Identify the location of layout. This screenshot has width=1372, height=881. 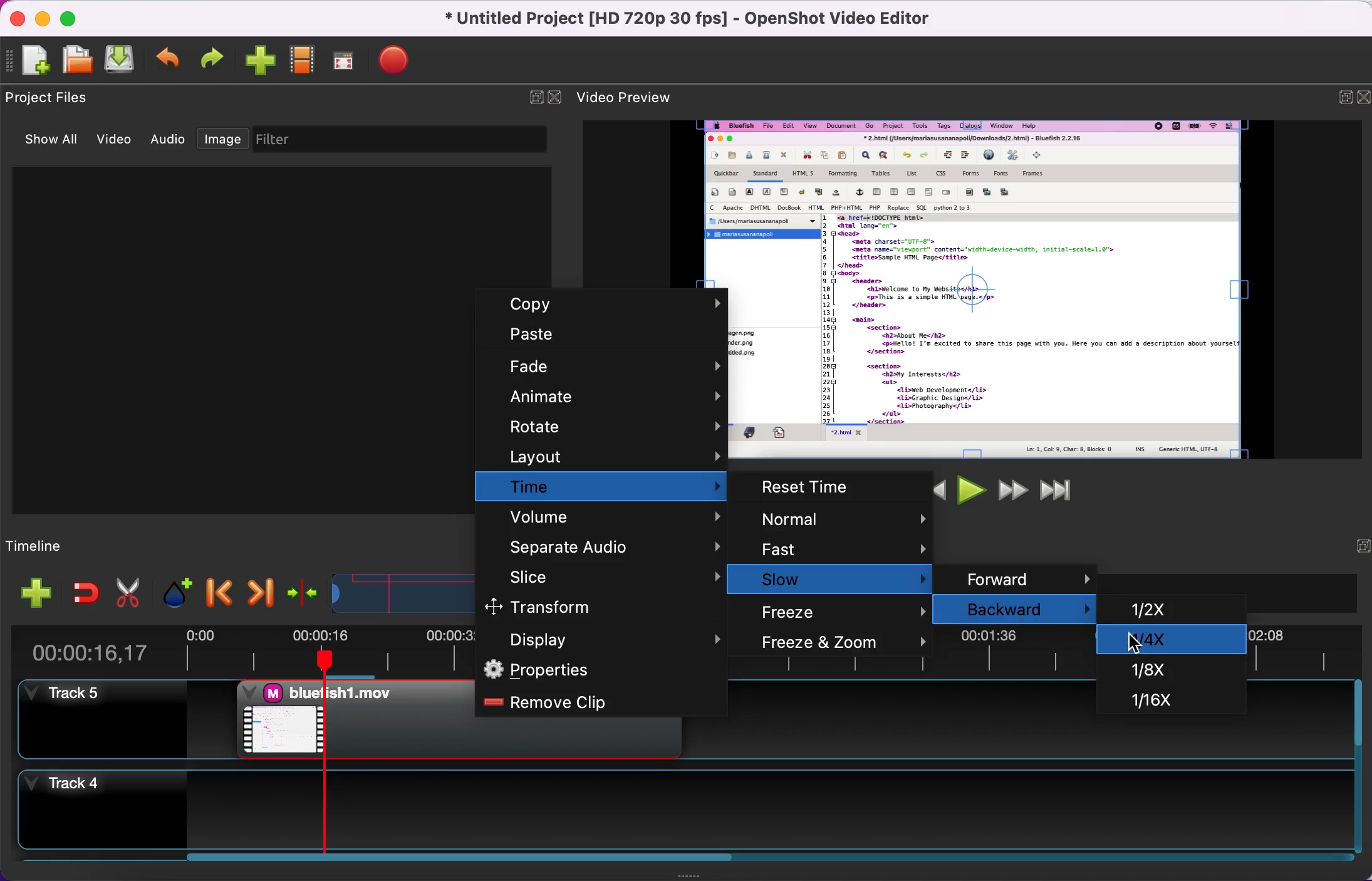
(603, 456).